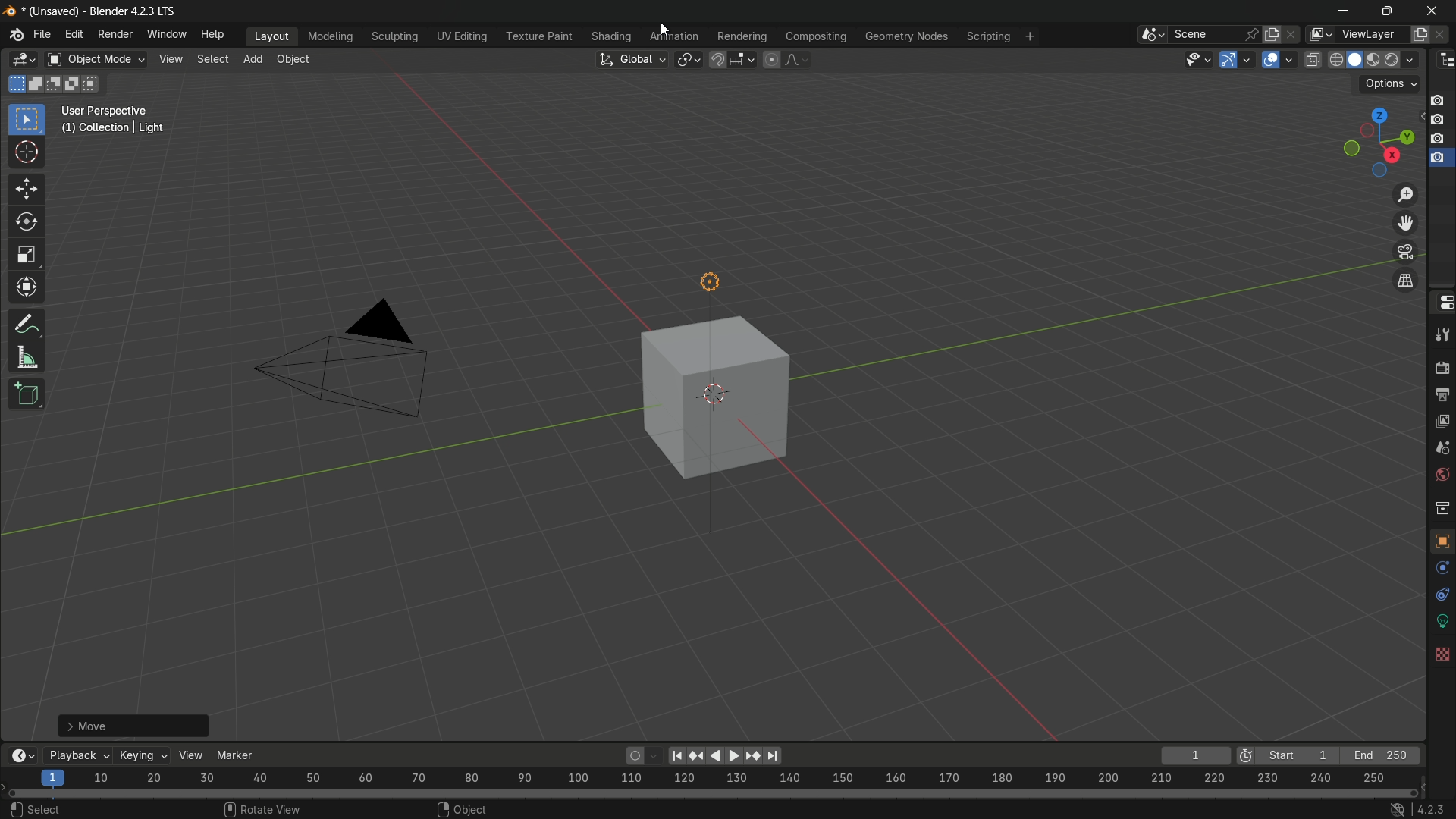  Describe the element at coordinates (1193, 755) in the screenshot. I see `current key frame` at that location.